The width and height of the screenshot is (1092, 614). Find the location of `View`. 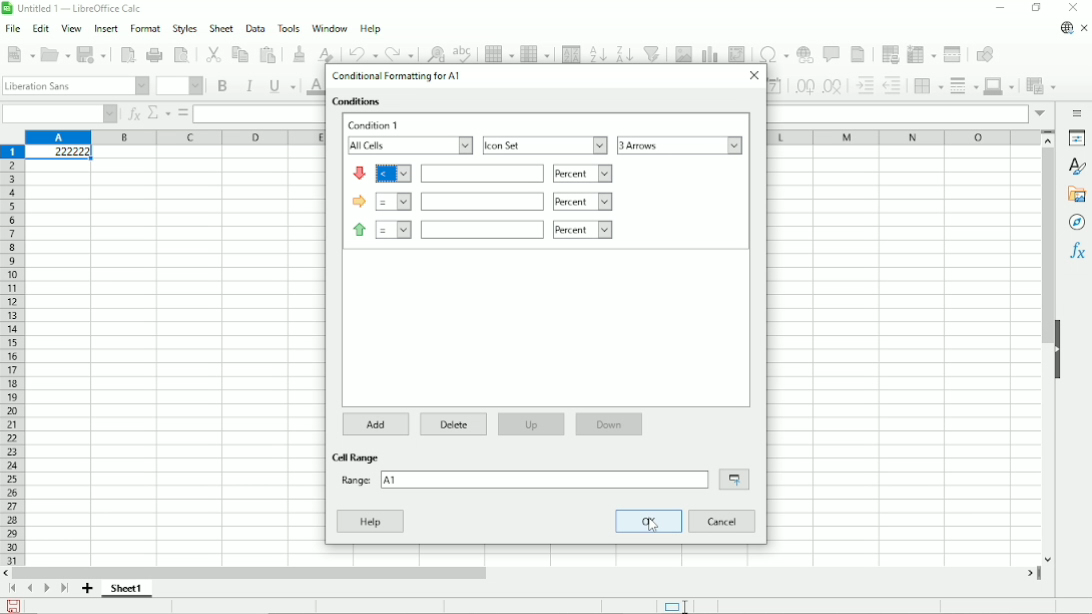

View is located at coordinates (71, 28).